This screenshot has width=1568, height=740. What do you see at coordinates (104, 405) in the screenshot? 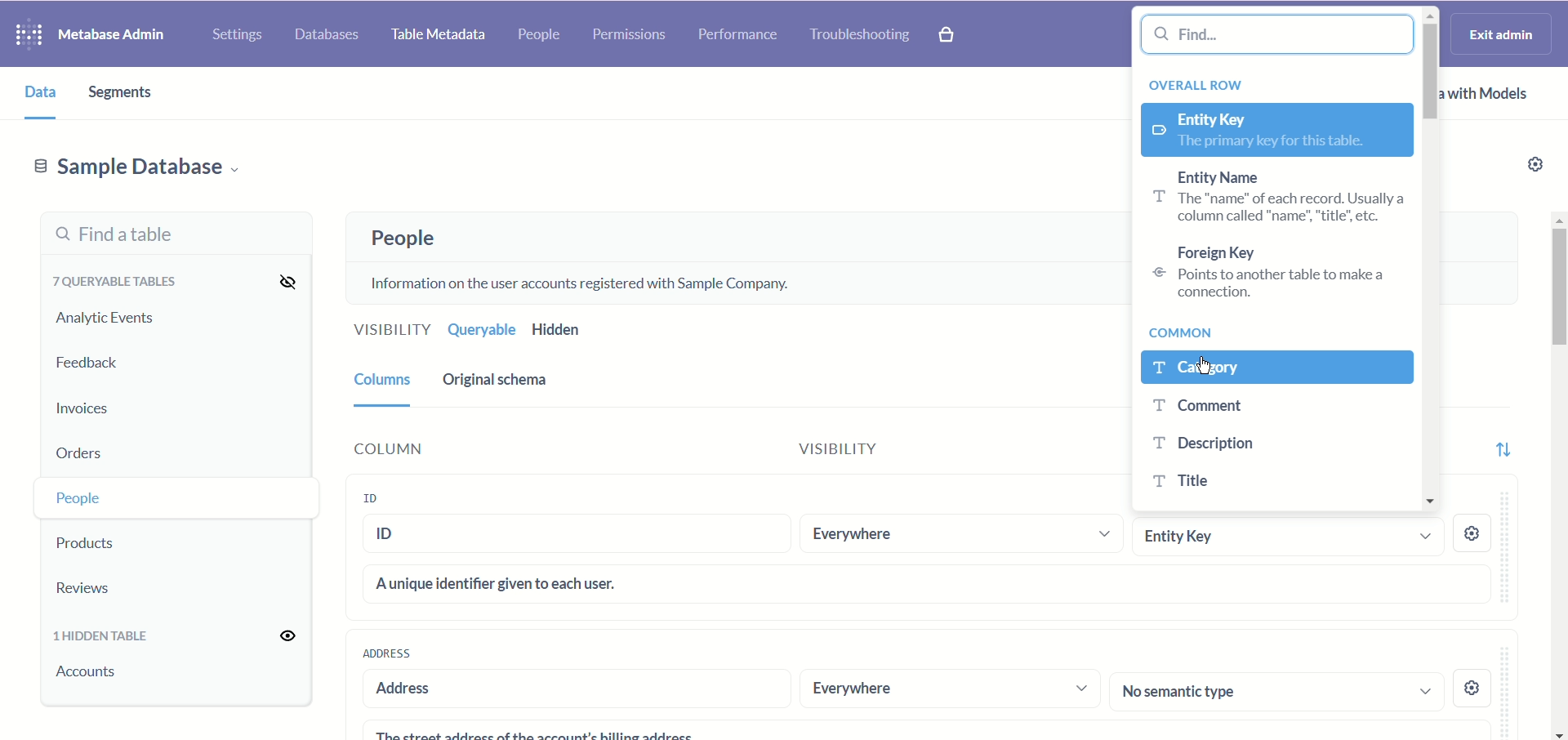
I see `Invoices` at bounding box center [104, 405].